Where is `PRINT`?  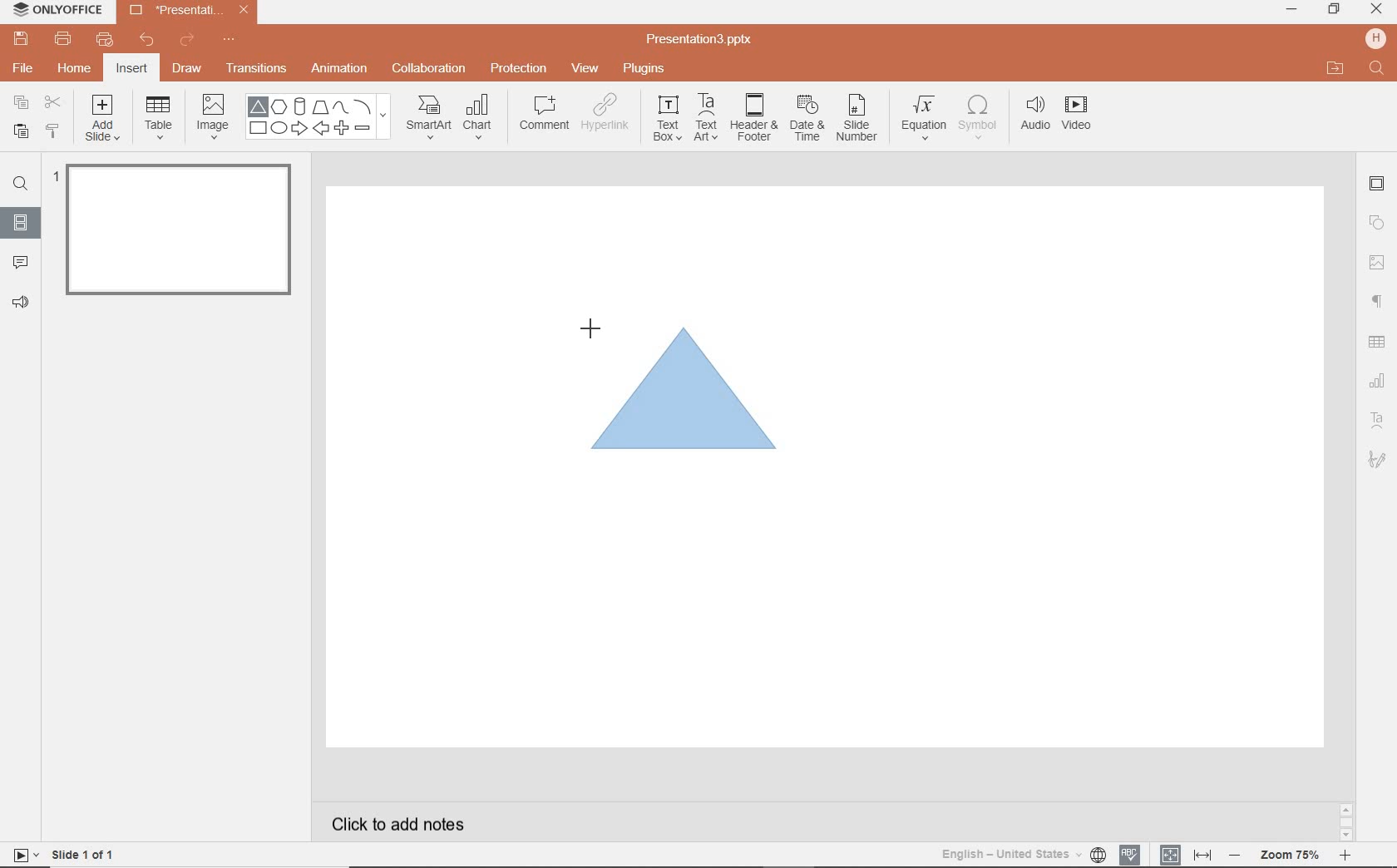
PRINT is located at coordinates (62, 40).